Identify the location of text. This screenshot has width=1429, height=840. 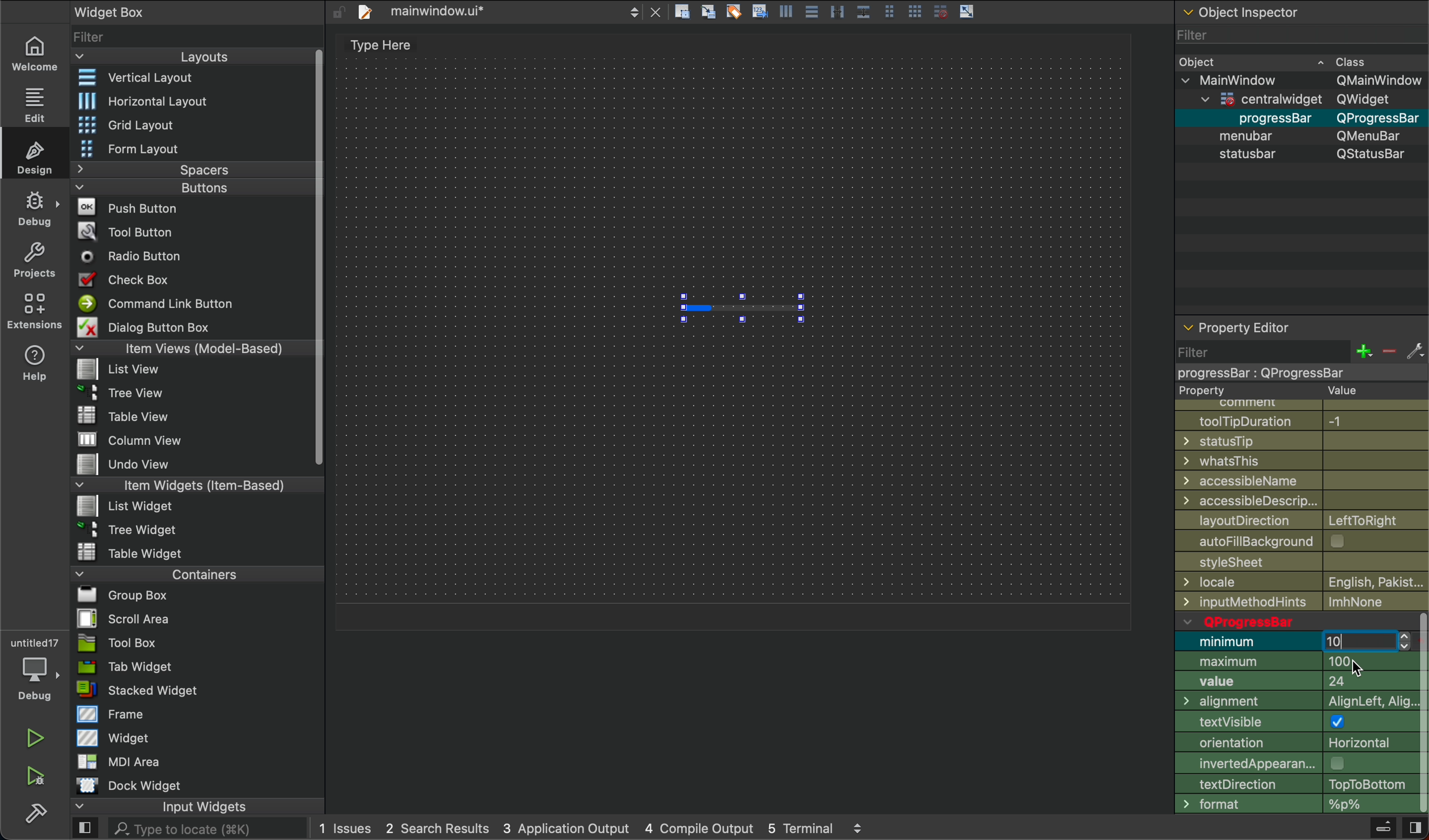
(375, 47).